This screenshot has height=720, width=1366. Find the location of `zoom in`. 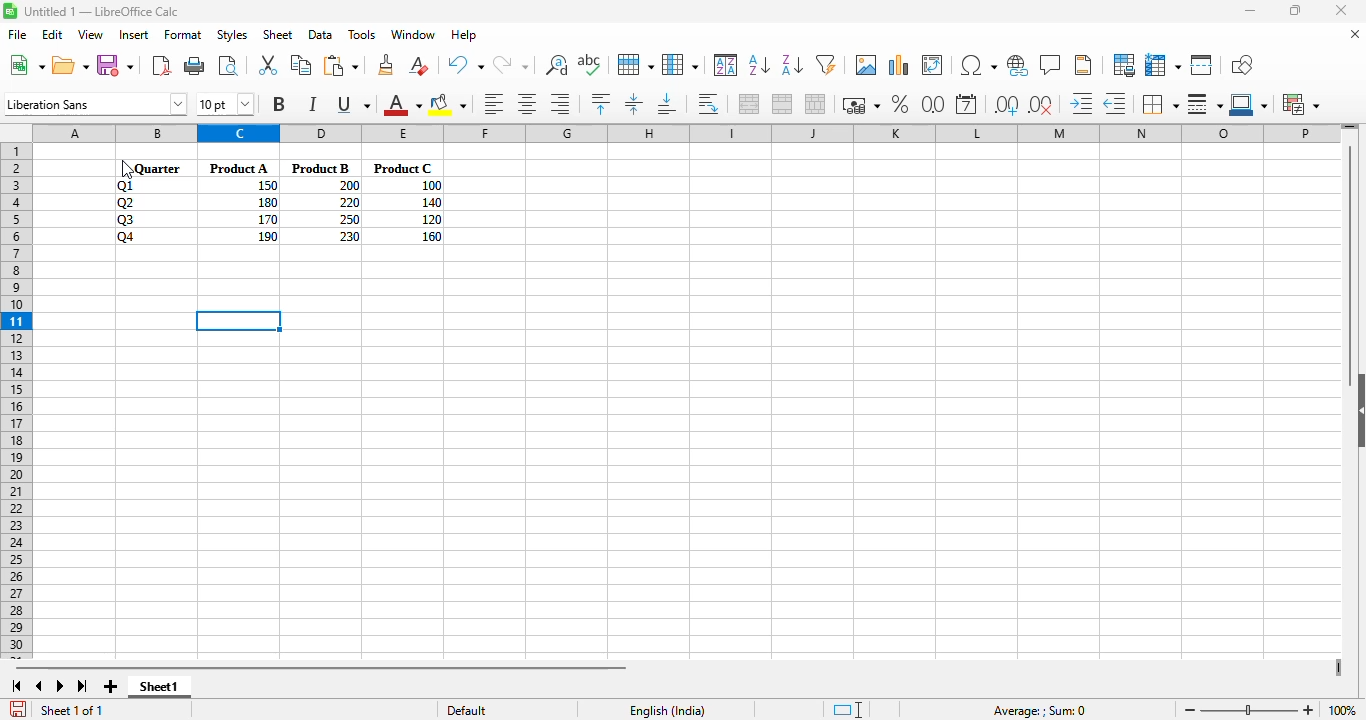

zoom in is located at coordinates (1308, 710).